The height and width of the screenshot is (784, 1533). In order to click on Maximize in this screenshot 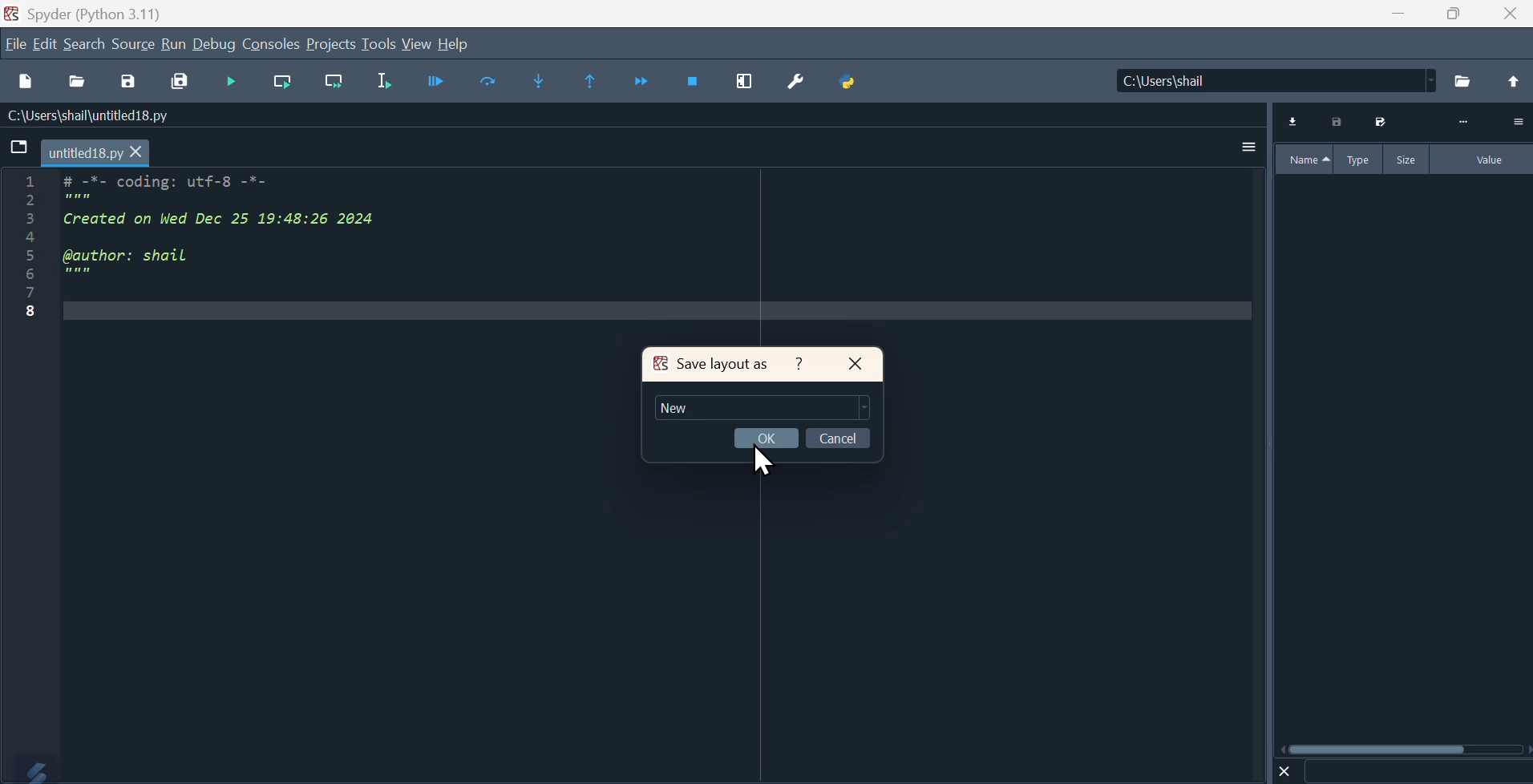, I will do `click(1454, 14)`.